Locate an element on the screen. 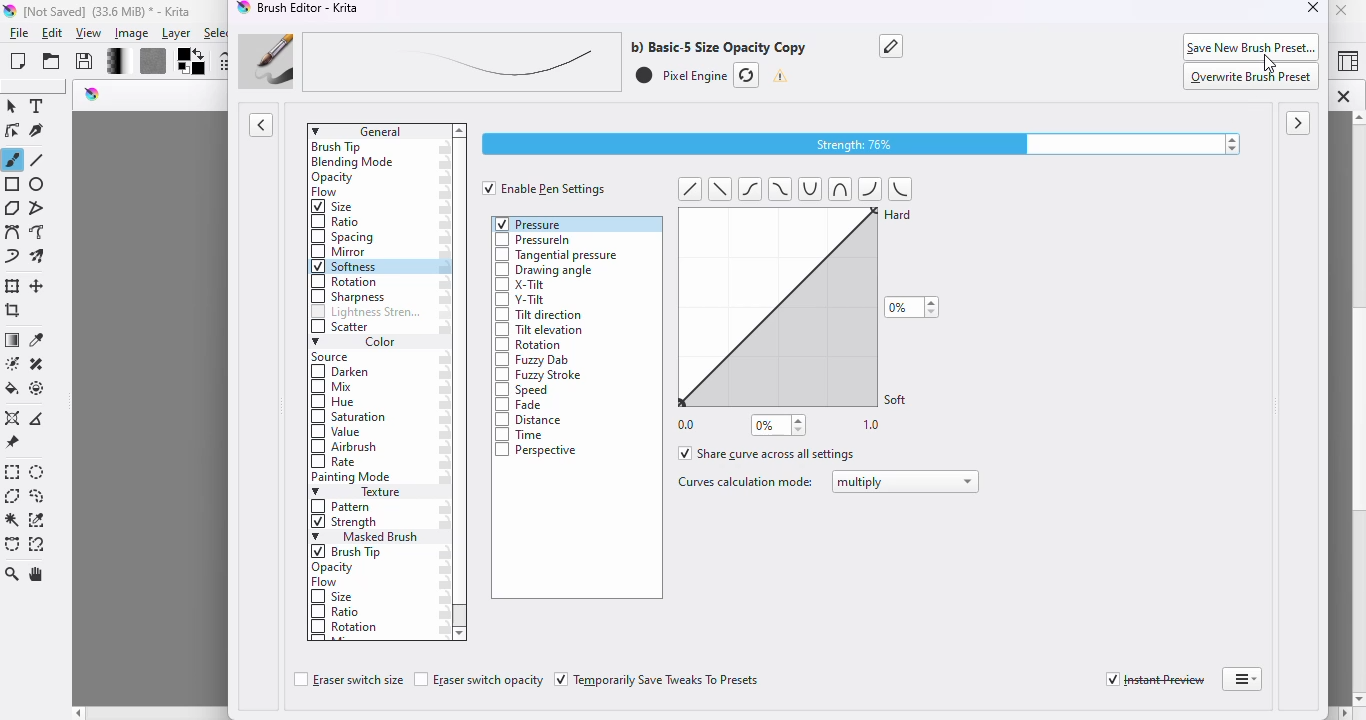 This screenshot has height=720, width=1366. edit shapes tool is located at coordinates (12, 131).